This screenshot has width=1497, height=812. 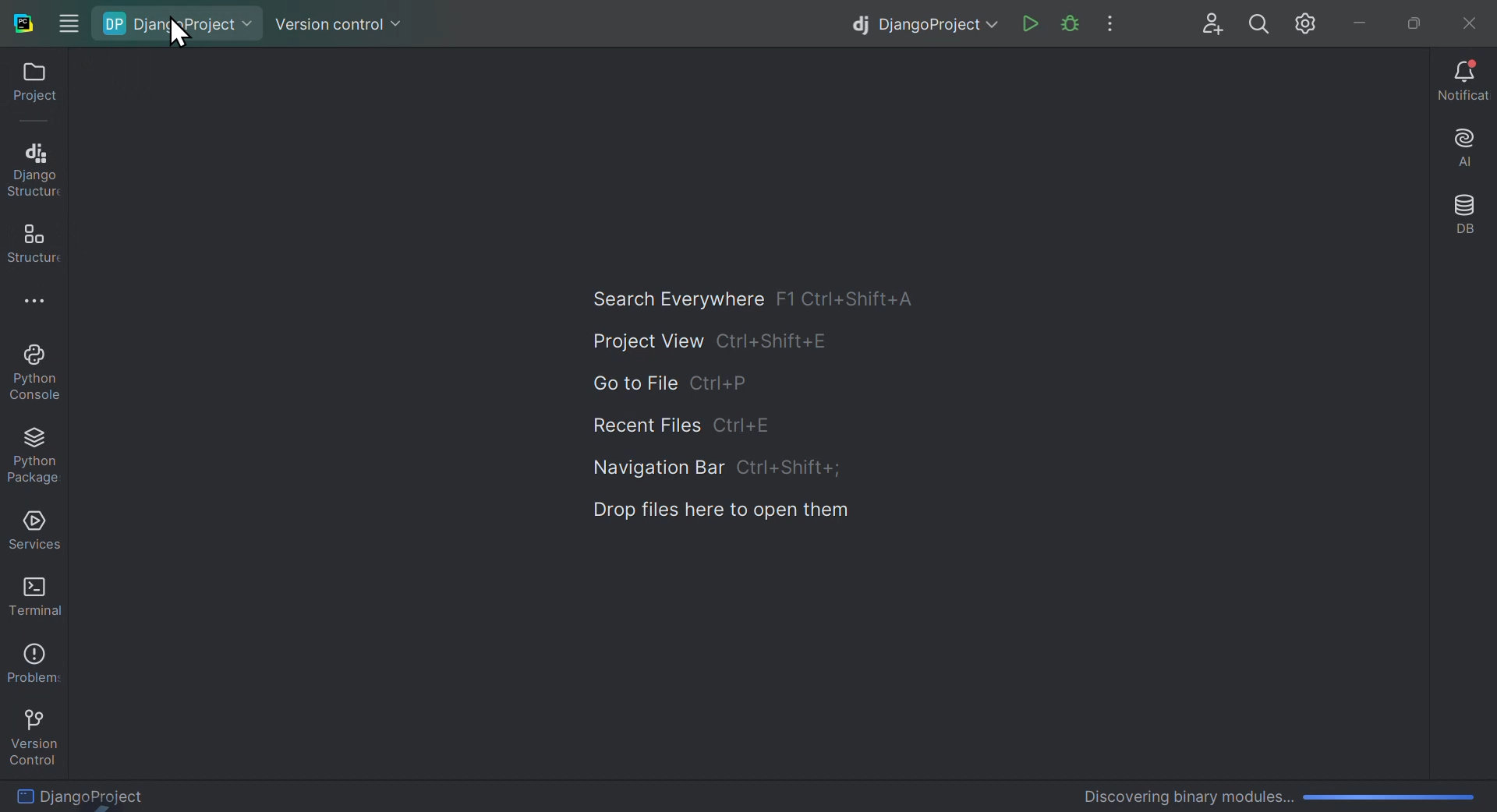 What do you see at coordinates (630, 384) in the screenshot?
I see `Go to file` at bounding box center [630, 384].